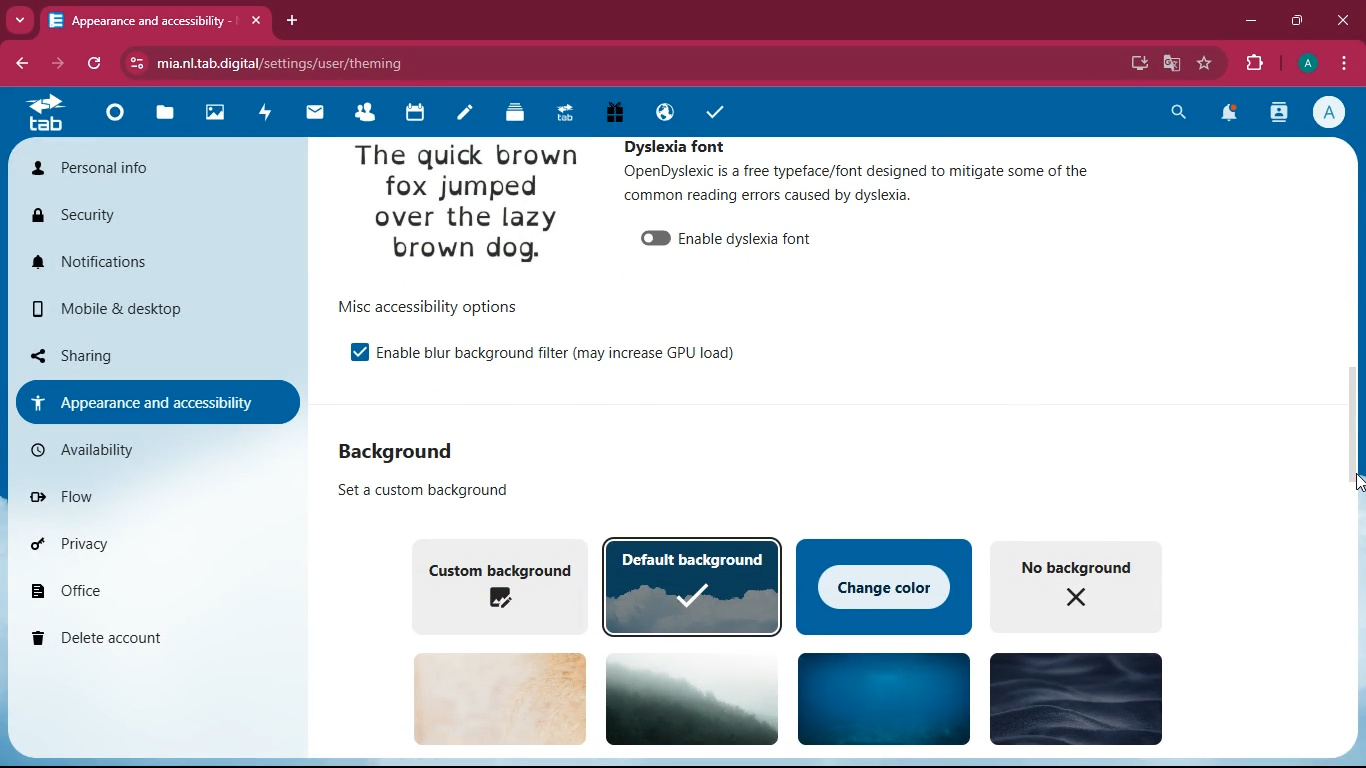  I want to click on OpenDyslexic is a free typeface/font designed to mitigate some of the  common reading errors caused by dyslexia., so click(854, 185).